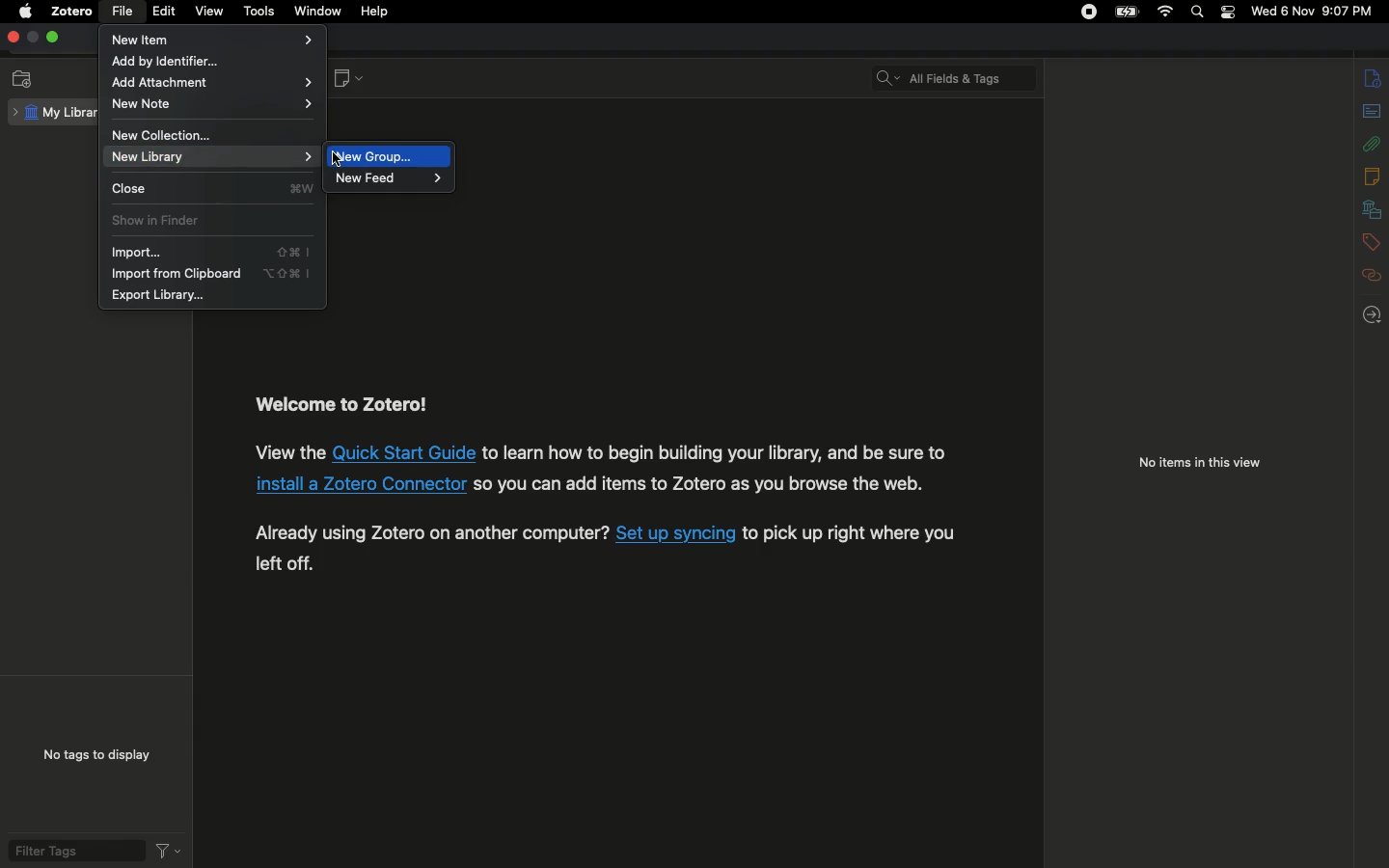 This screenshot has width=1389, height=868. I want to click on to pick up right where you, so click(850, 534).